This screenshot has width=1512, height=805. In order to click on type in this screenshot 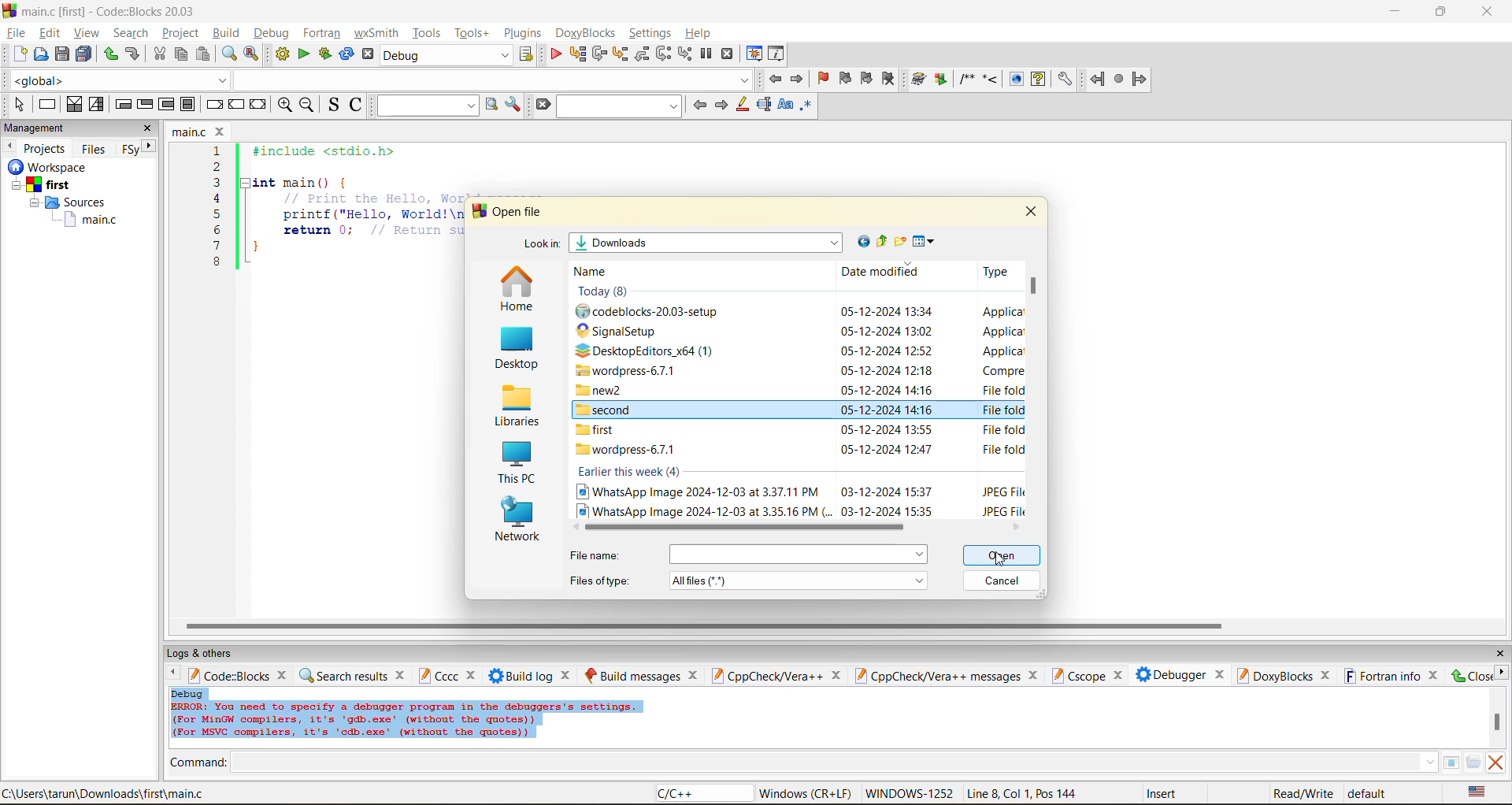, I will do `click(994, 271)`.